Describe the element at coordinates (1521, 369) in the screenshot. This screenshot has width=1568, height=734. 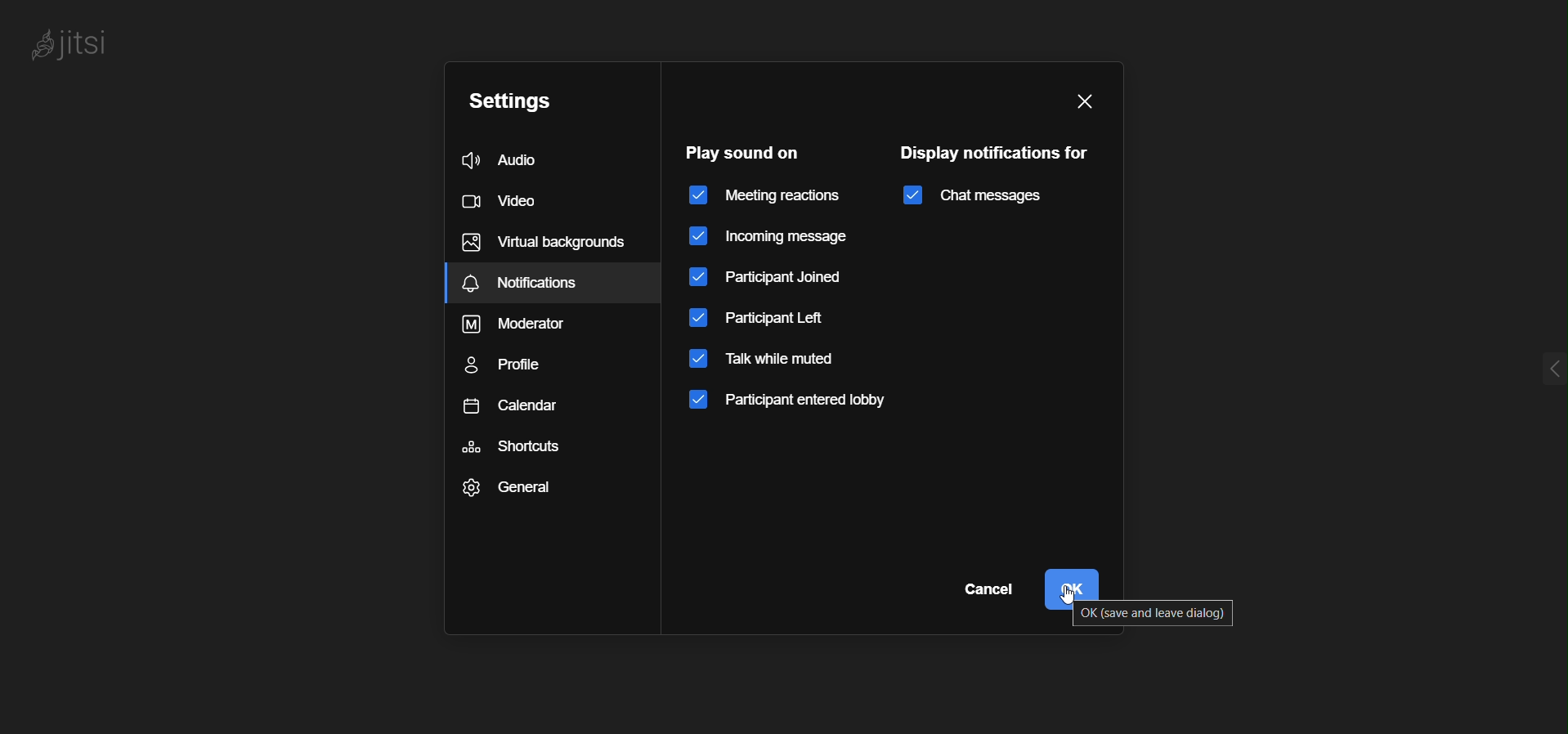
I see `expand` at that location.